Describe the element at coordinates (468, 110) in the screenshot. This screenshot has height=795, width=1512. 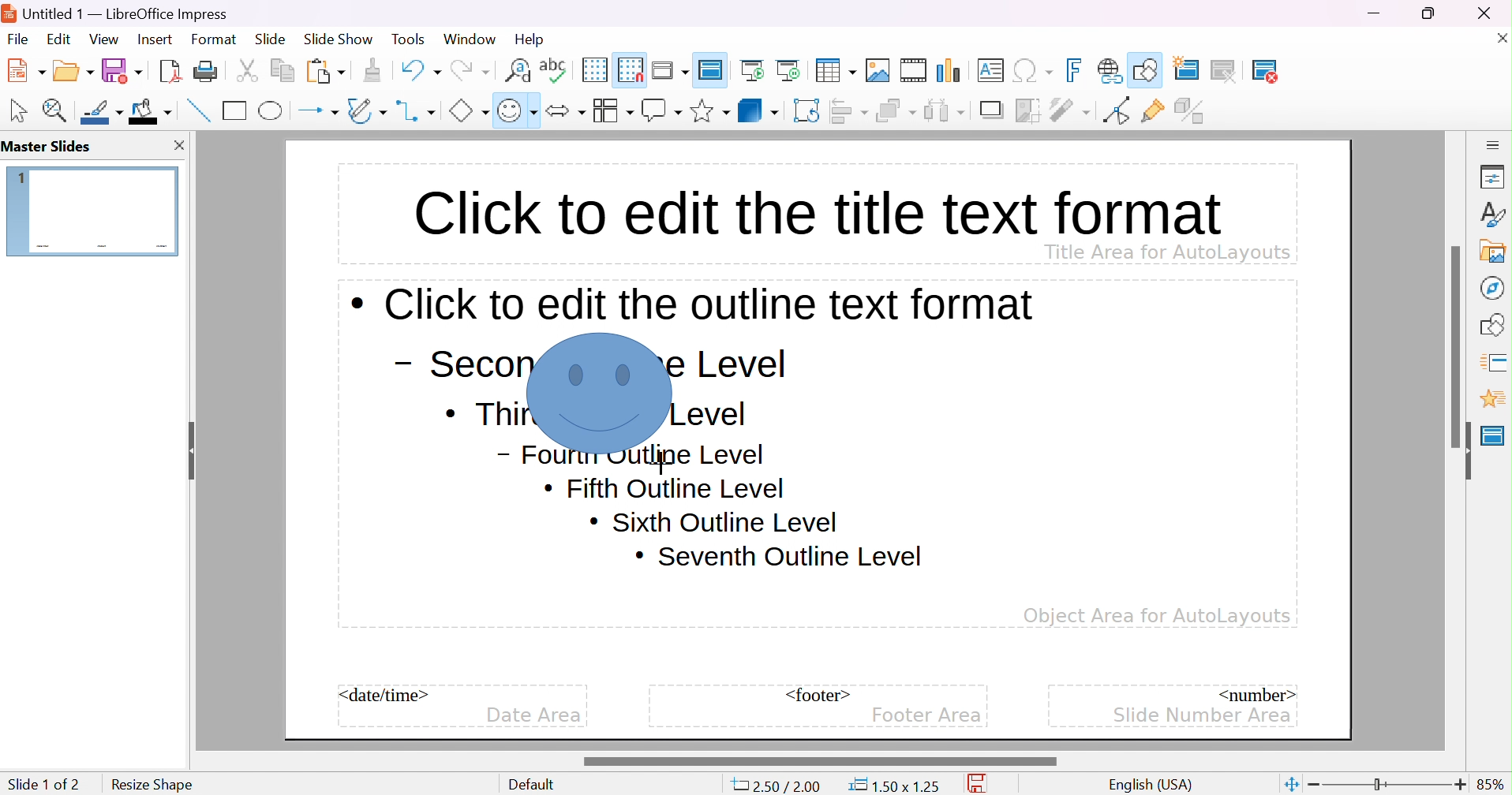
I see `basic shapes` at that location.